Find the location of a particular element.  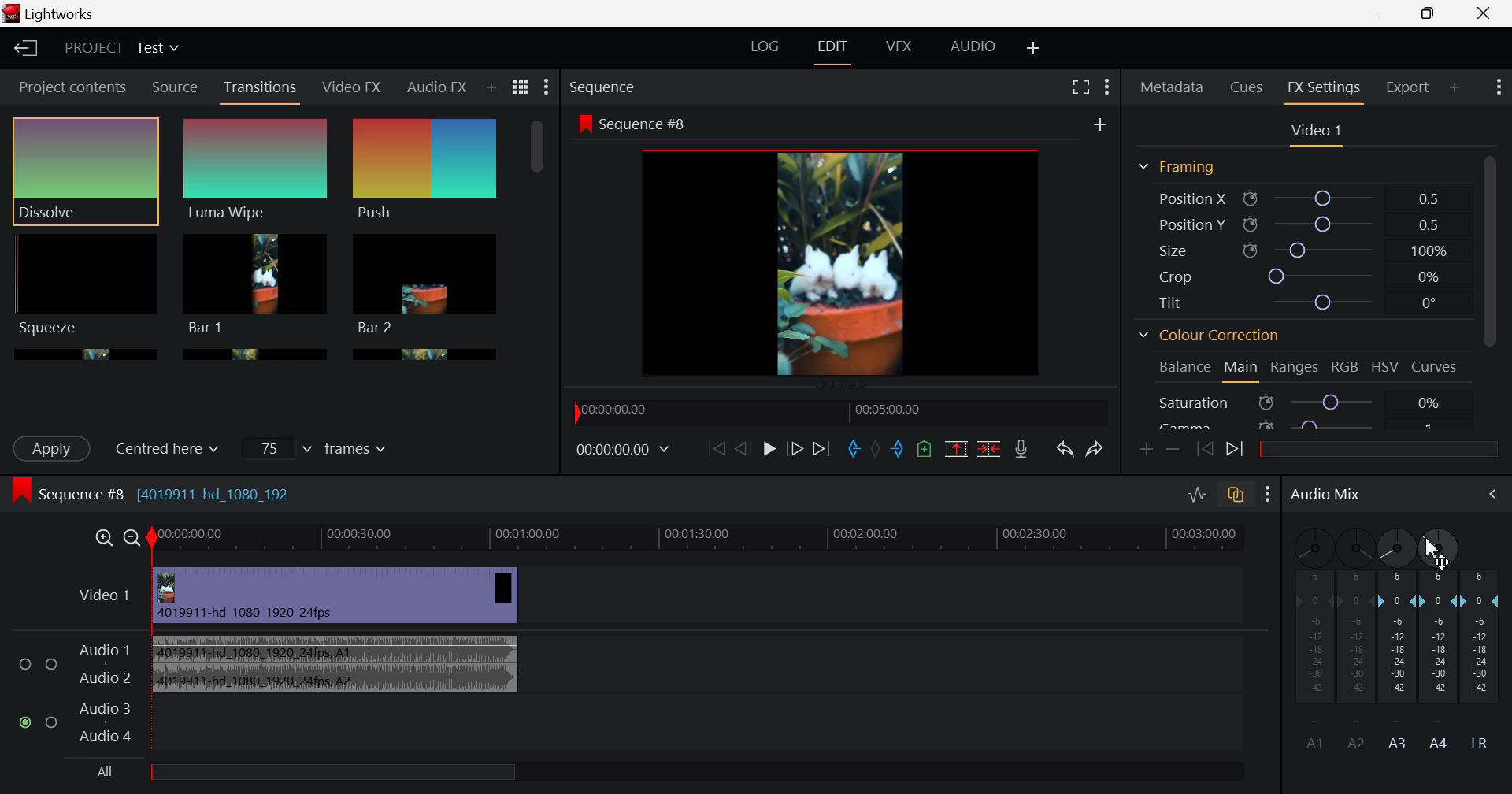

Add Layout is located at coordinates (1032, 47).